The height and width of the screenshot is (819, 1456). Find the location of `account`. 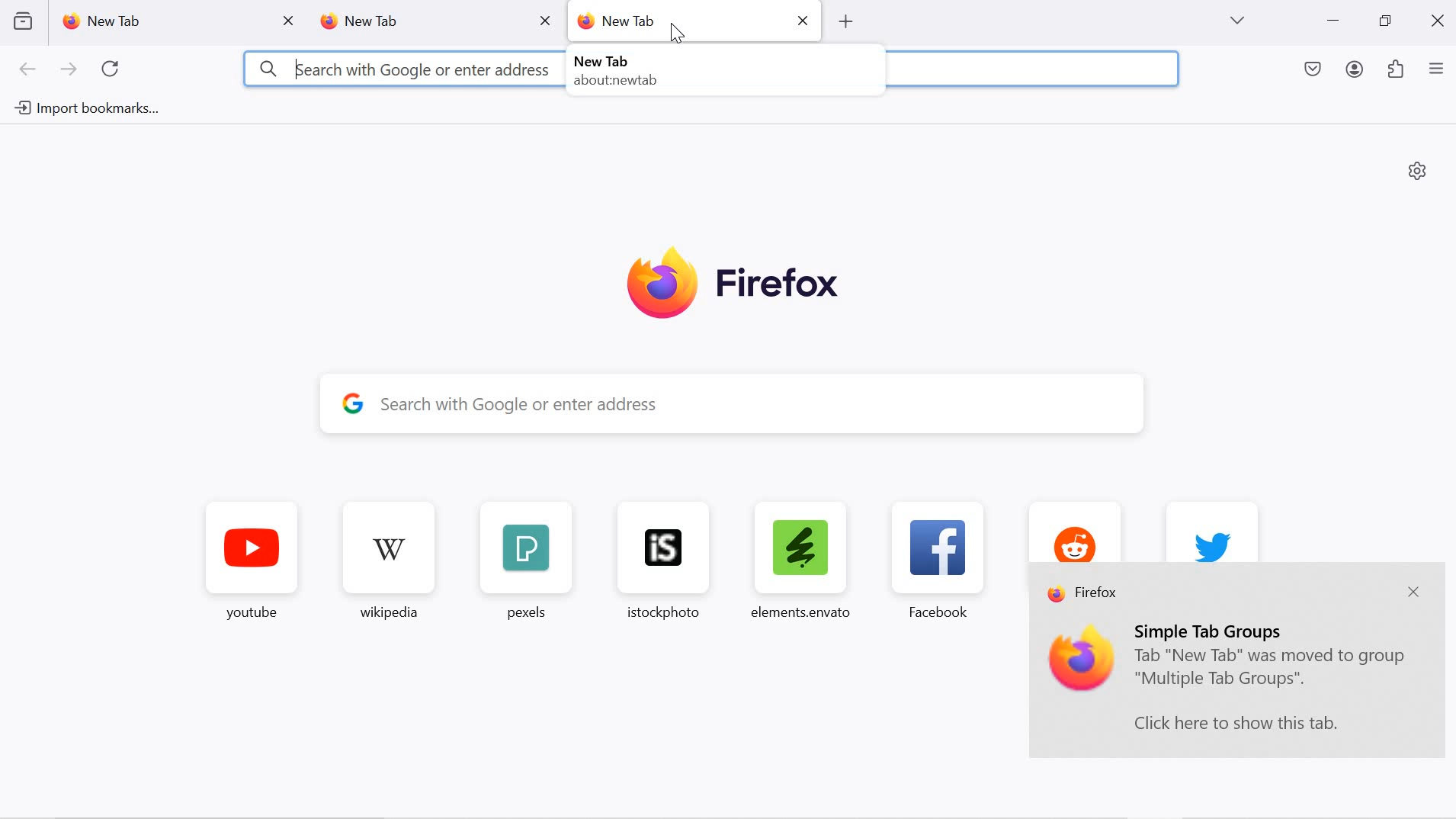

account is located at coordinates (1357, 72).